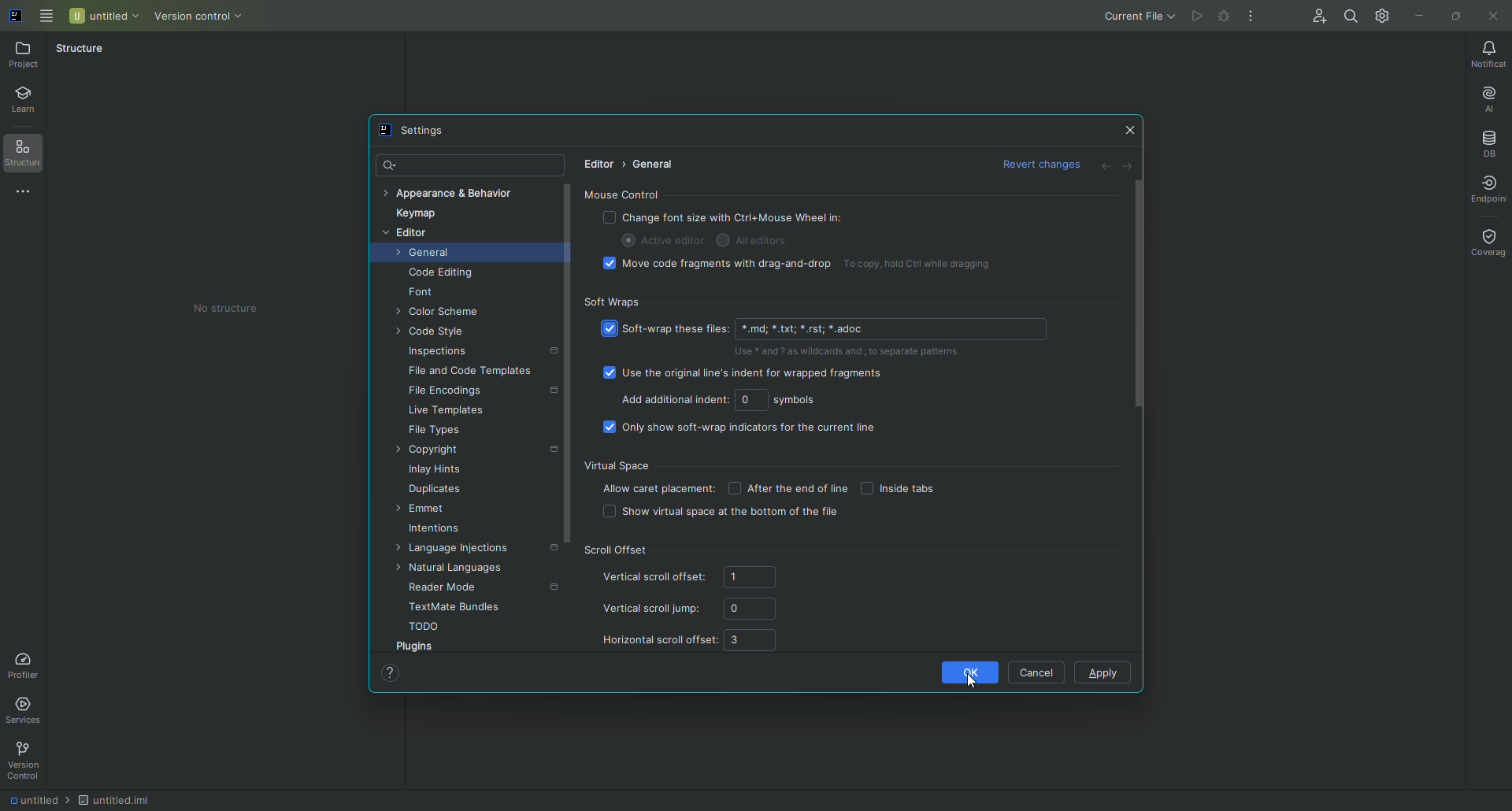 The height and width of the screenshot is (811, 1512). I want to click on Notifications, so click(1486, 52).